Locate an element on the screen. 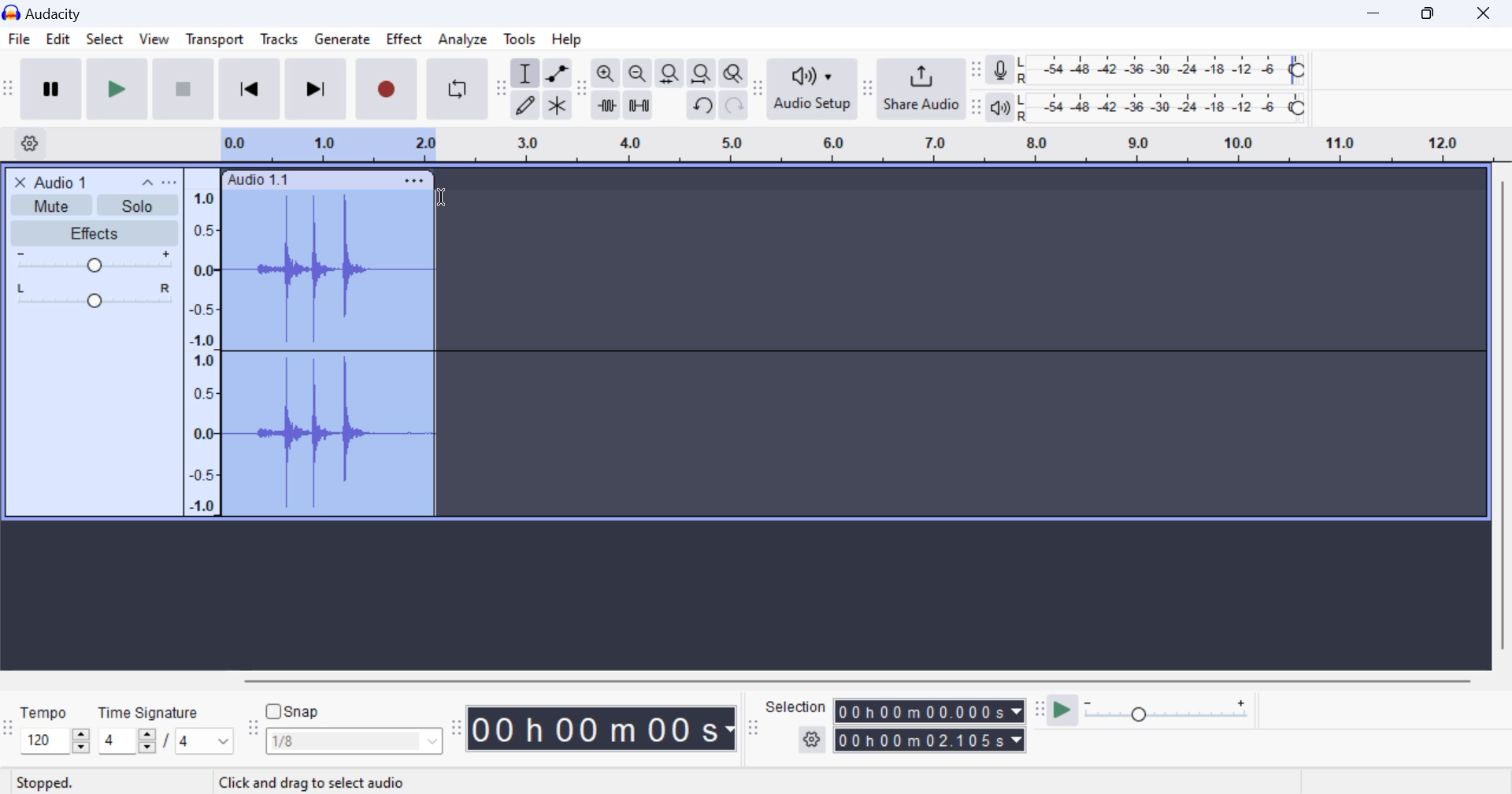 The width and height of the screenshot is (1512, 794). Clip Timeline is located at coordinates (841, 147).